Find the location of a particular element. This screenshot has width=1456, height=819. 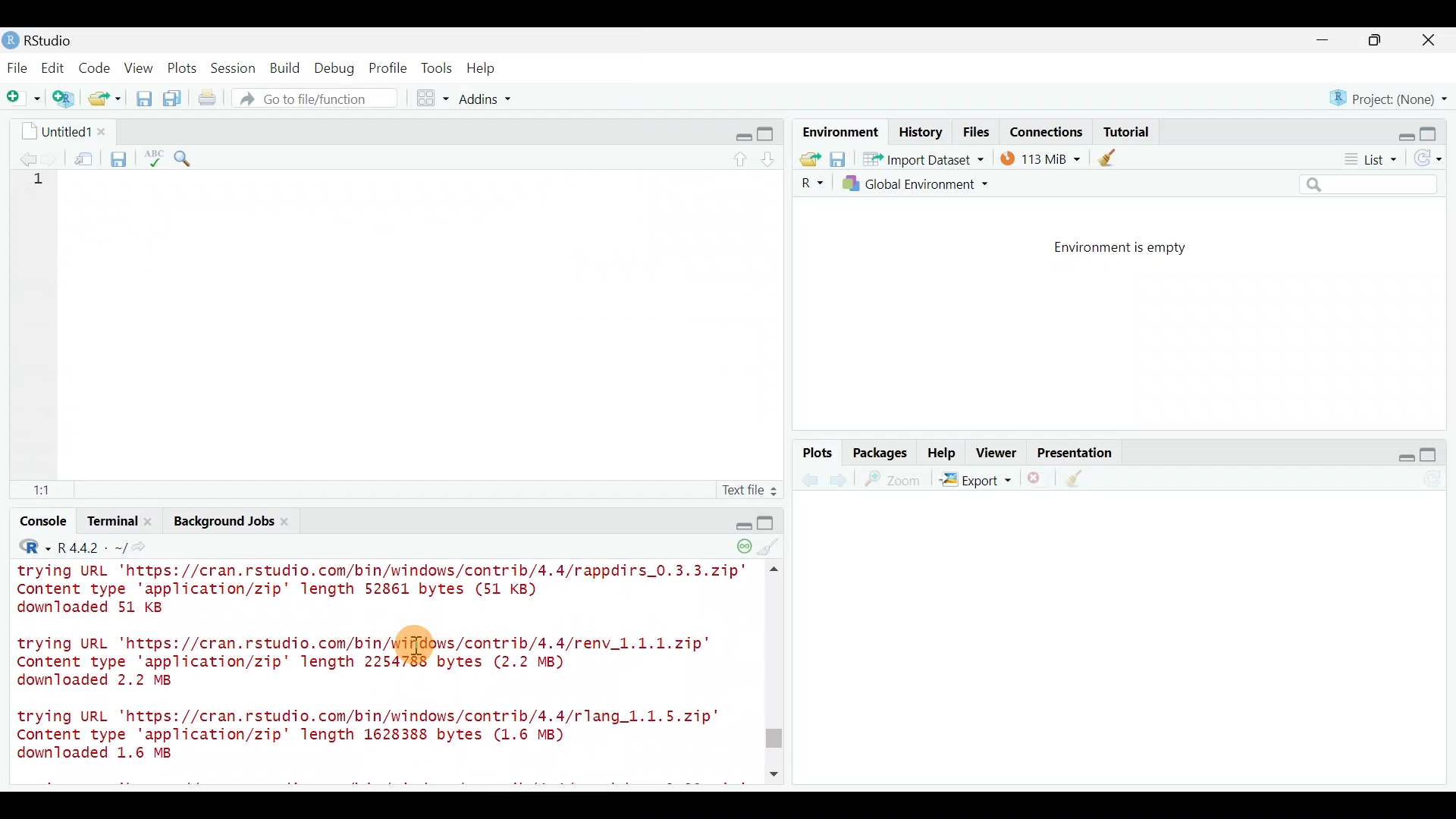

Addins is located at coordinates (487, 101).